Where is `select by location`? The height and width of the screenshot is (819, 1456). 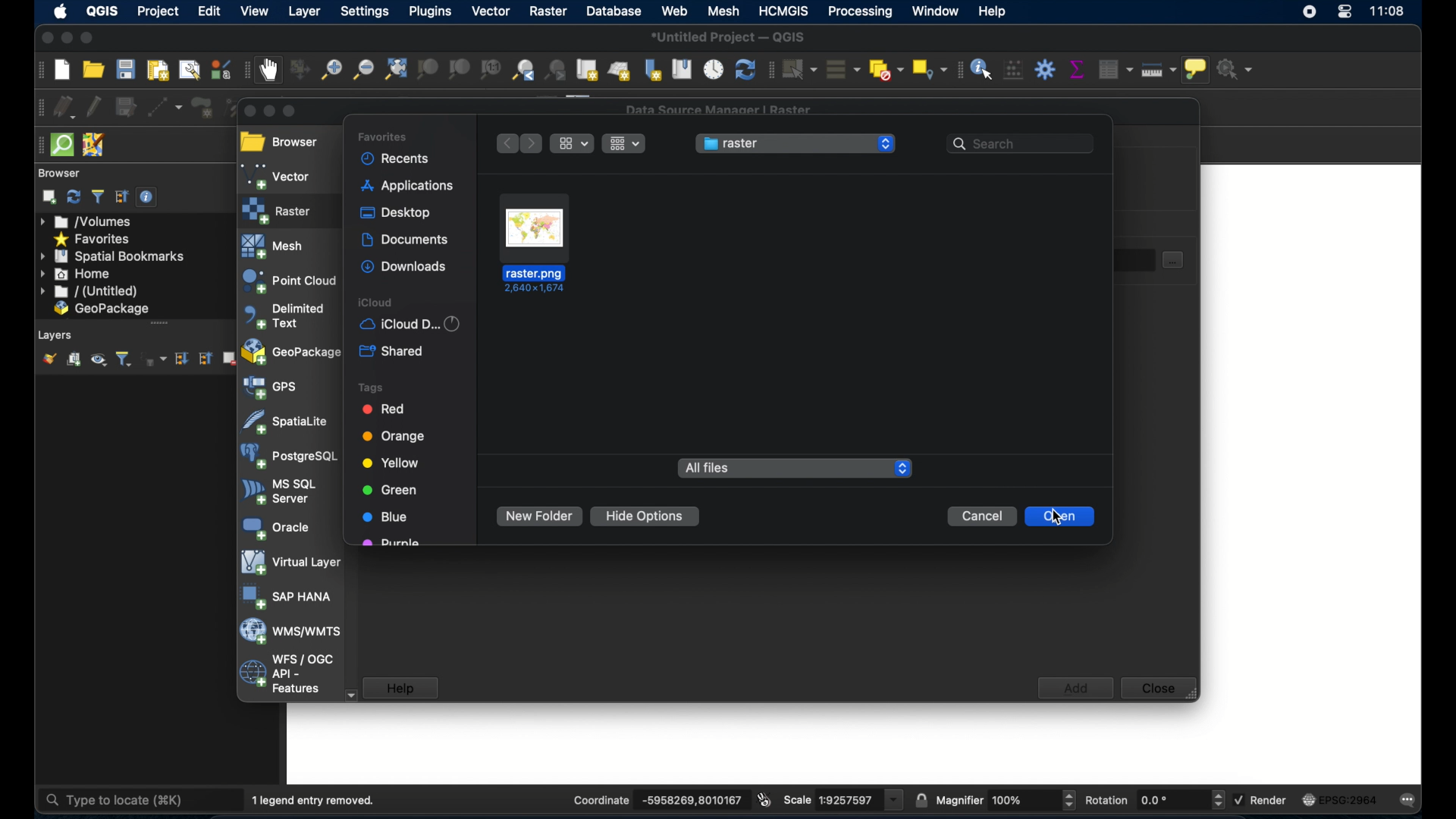
select by location is located at coordinates (927, 69).